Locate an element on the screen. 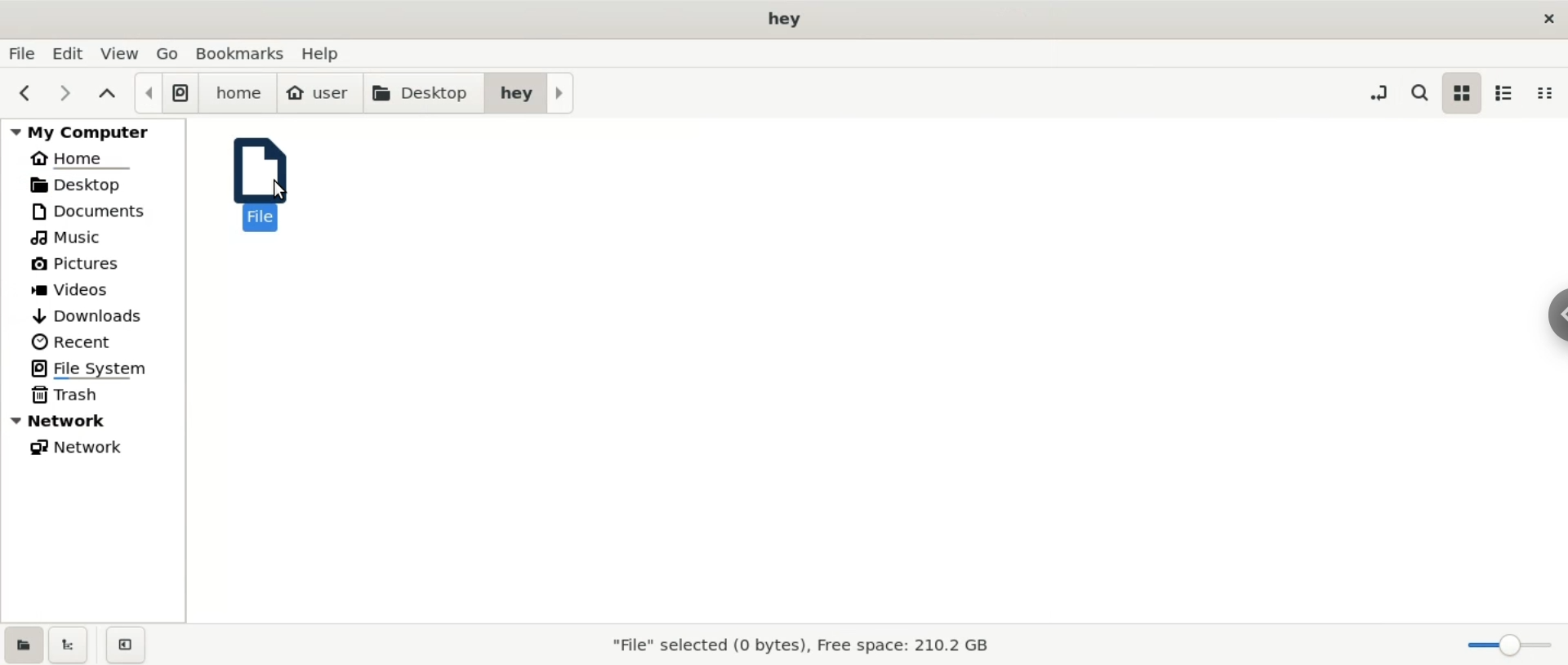 The height and width of the screenshot is (665, 1568). edit is located at coordinates (73, 53).